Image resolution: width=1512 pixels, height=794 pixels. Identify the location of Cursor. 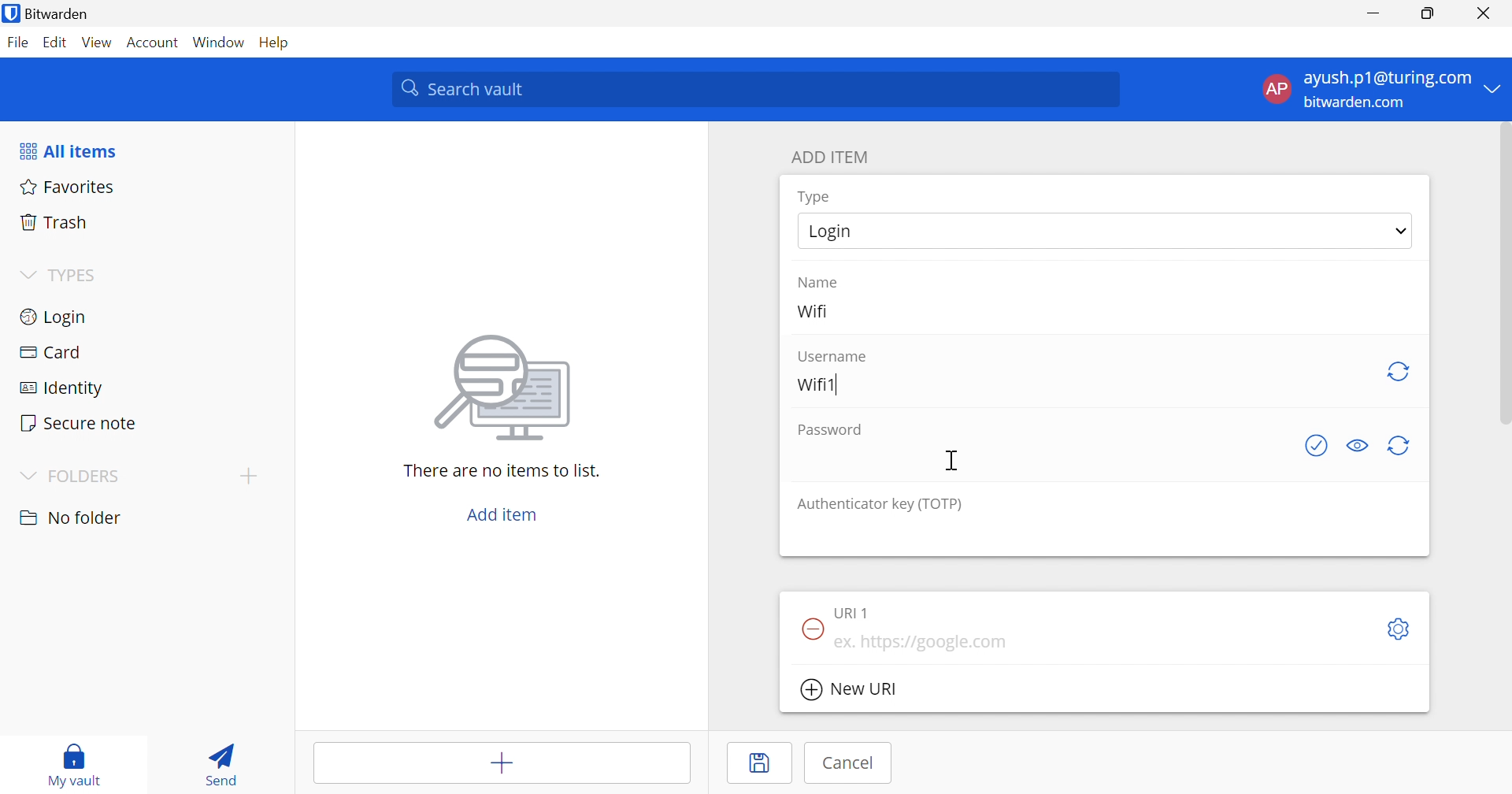
(955, 463).